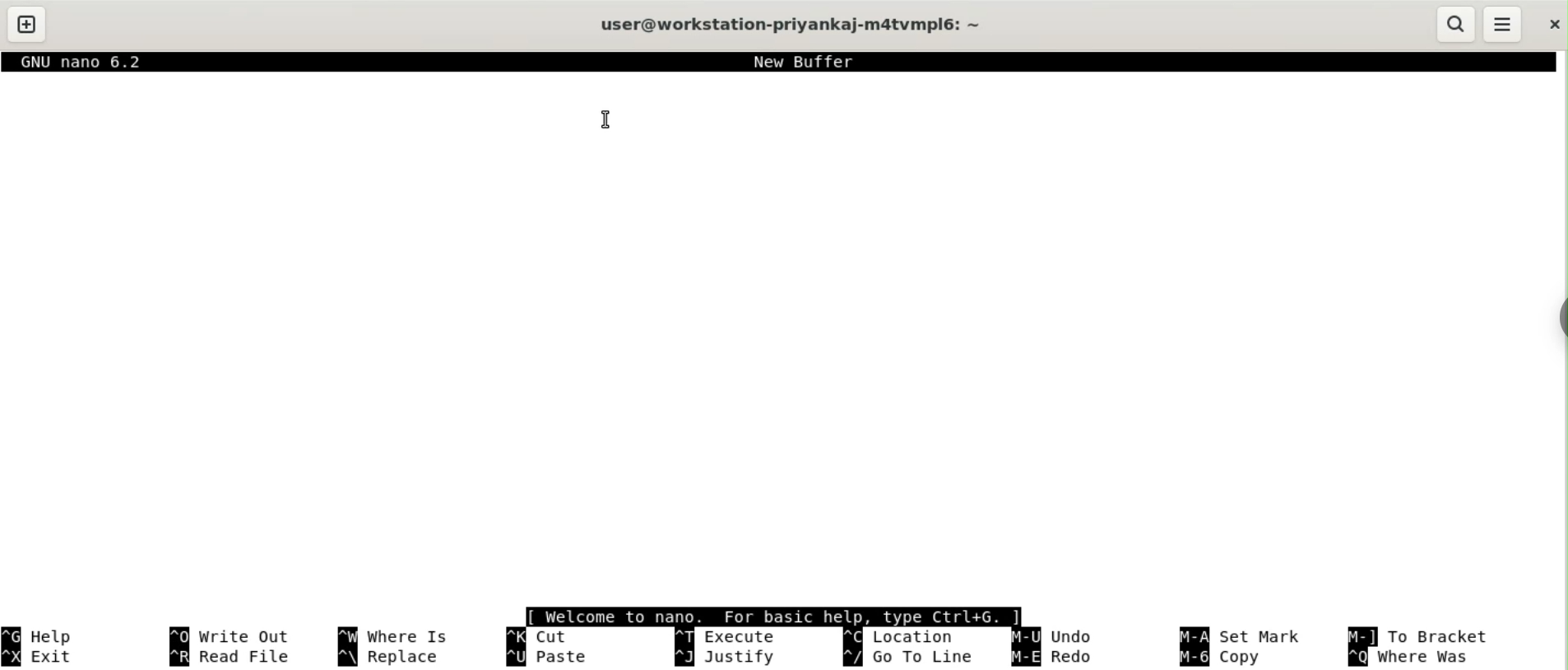  I want to click on to bracket, so click(1416, 636).